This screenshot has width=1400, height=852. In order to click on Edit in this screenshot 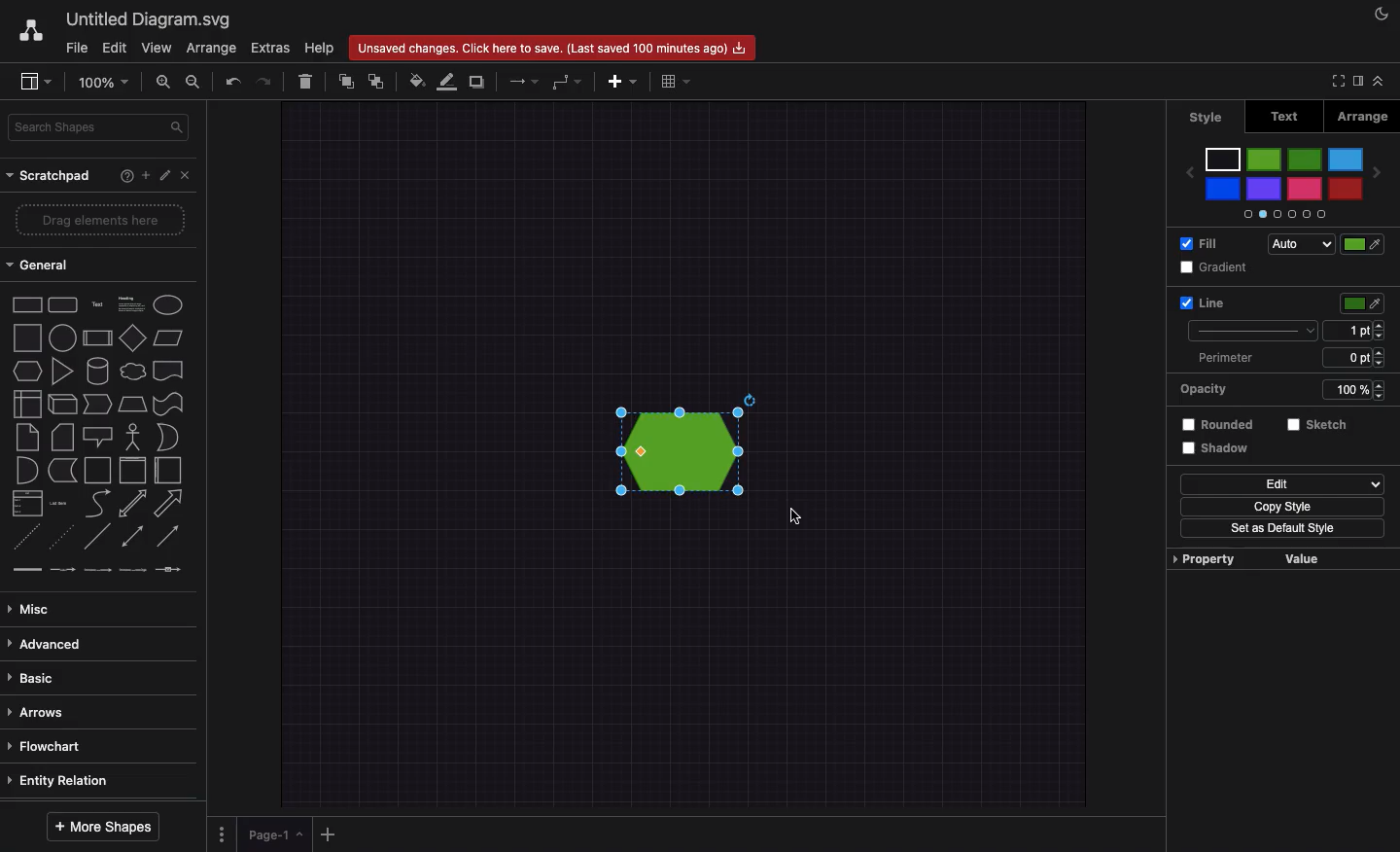, I will do `click(1282, 482)`.